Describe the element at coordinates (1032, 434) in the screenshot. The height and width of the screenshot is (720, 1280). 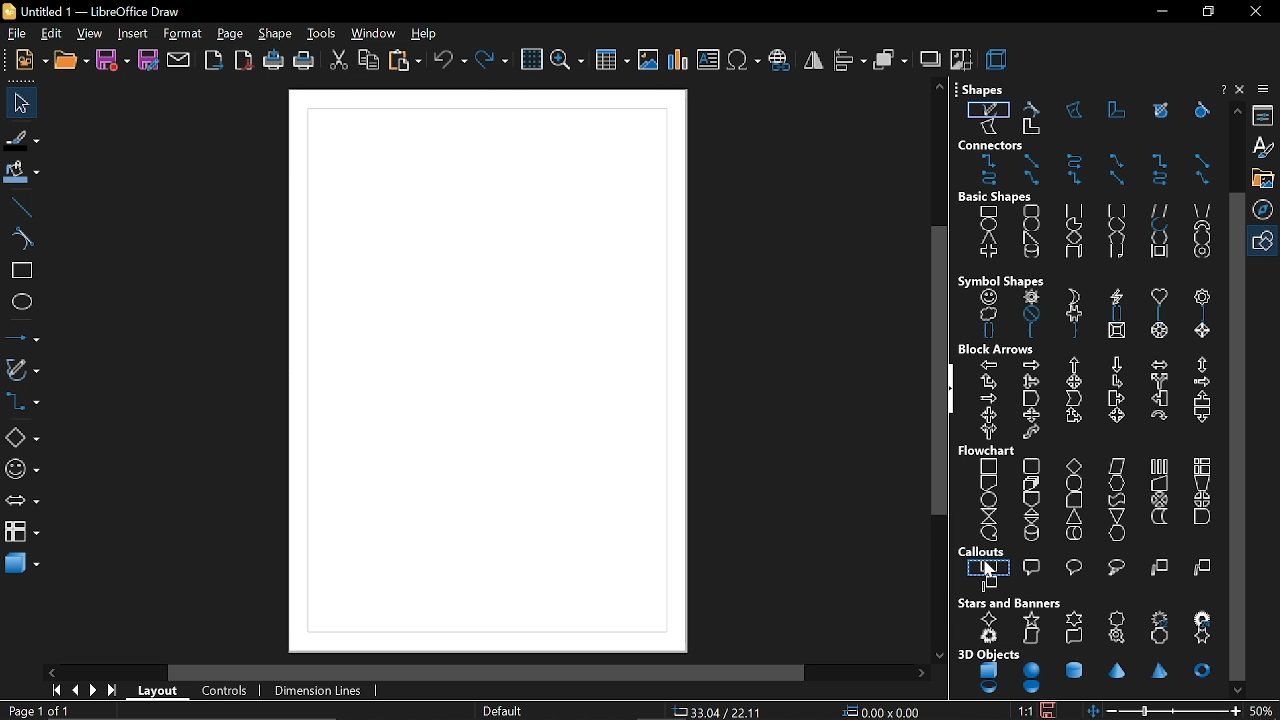
I see `s shaped arrow` at that location.